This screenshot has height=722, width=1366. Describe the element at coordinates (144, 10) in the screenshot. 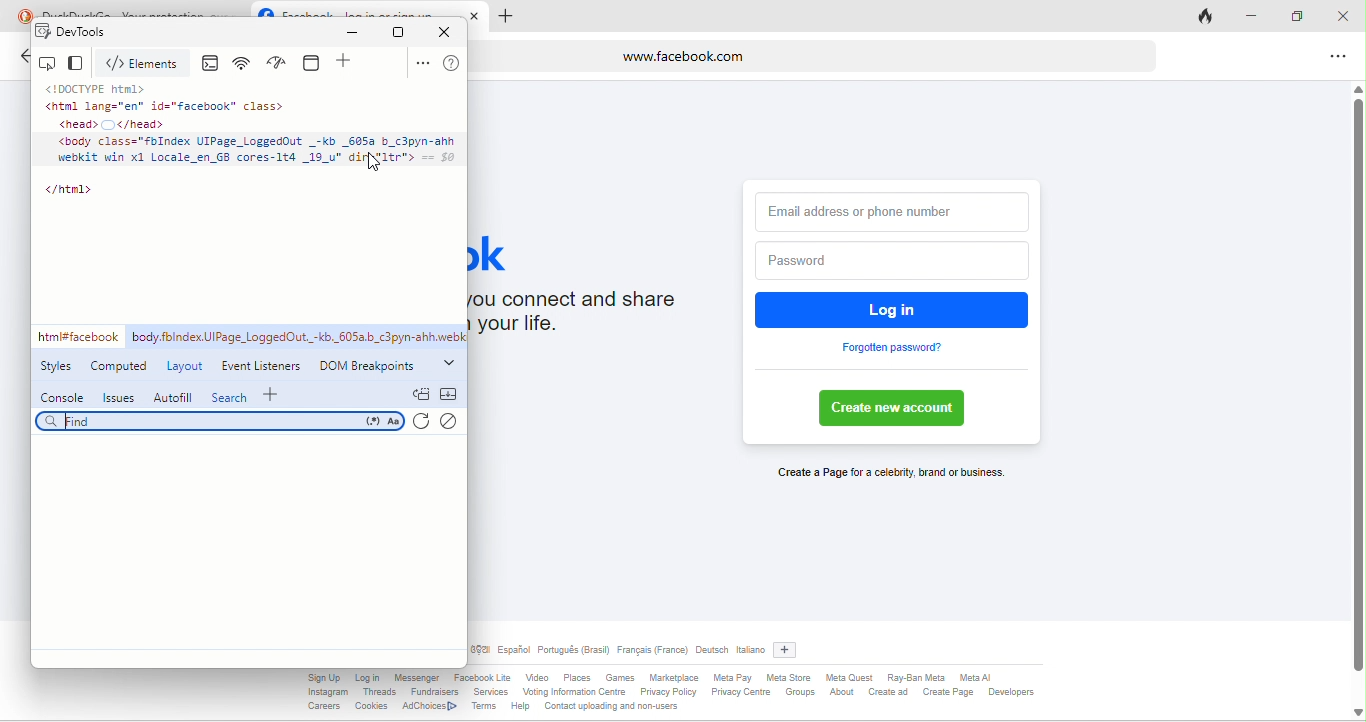

I see `duckduck go -your protection our priority` at that location.